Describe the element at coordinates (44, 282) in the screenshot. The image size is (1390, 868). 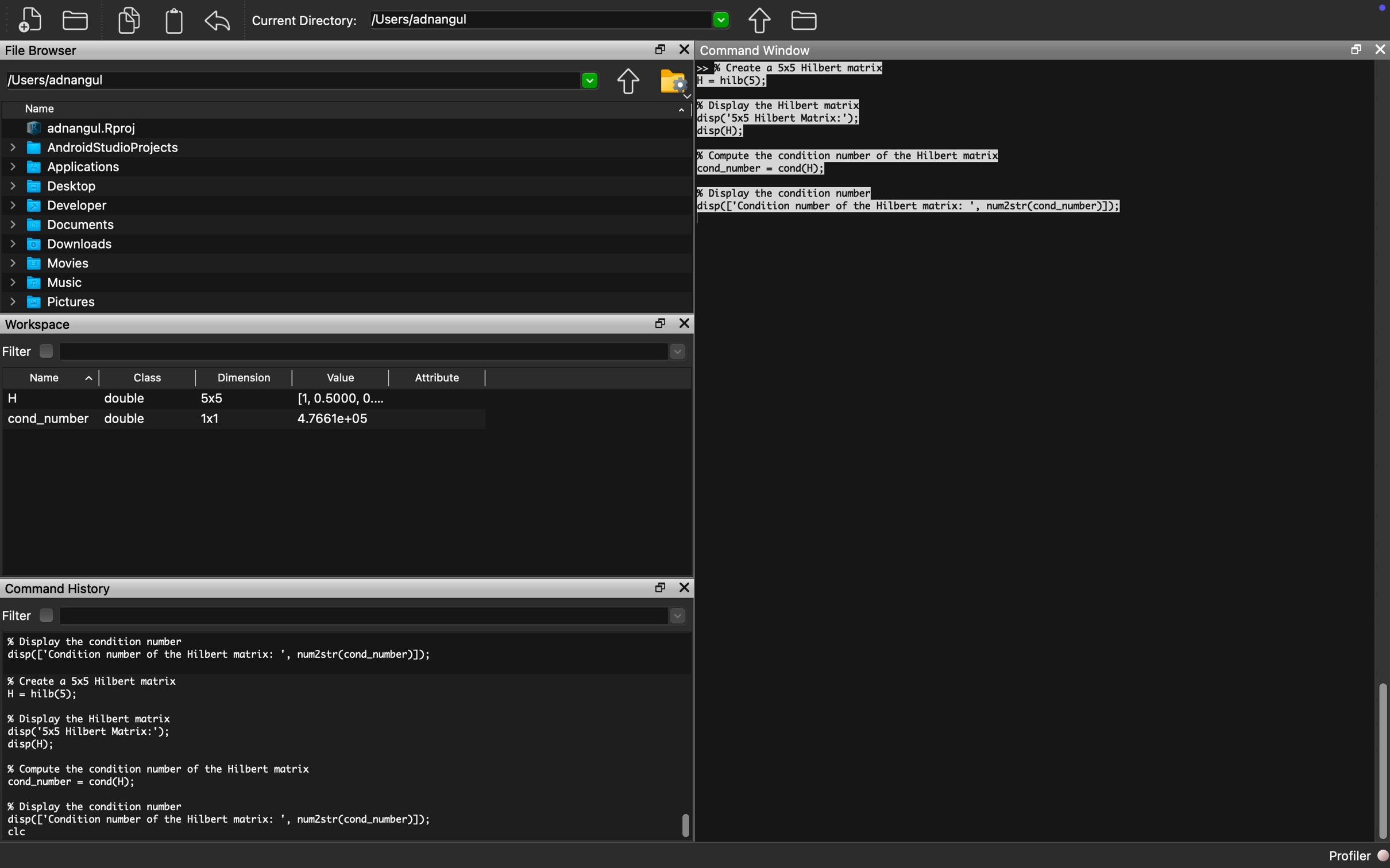
I see `Music` at that location.